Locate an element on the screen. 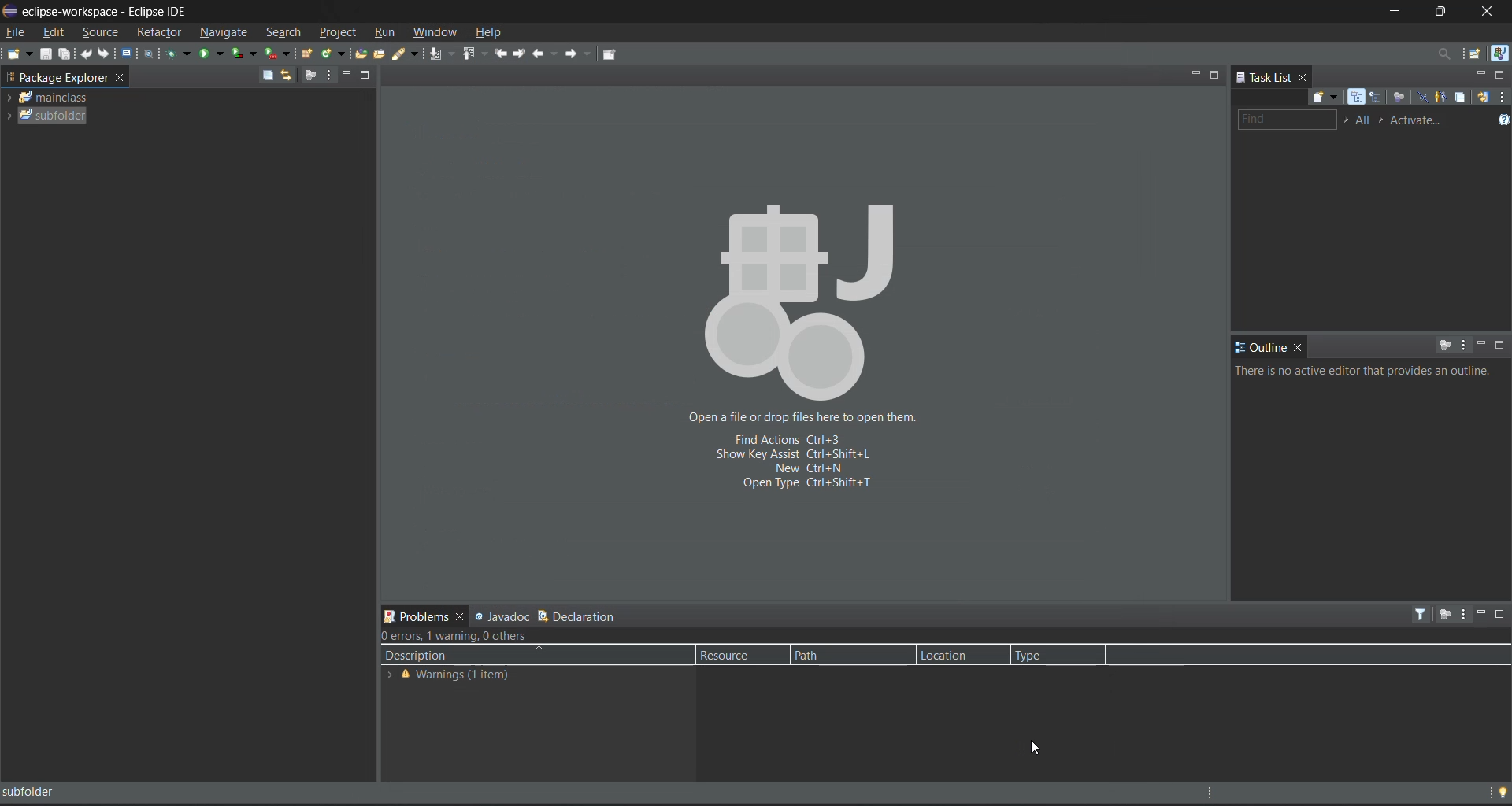 This screenshot has width=1512, height=806. declaration is located at coordinates (584, 618).